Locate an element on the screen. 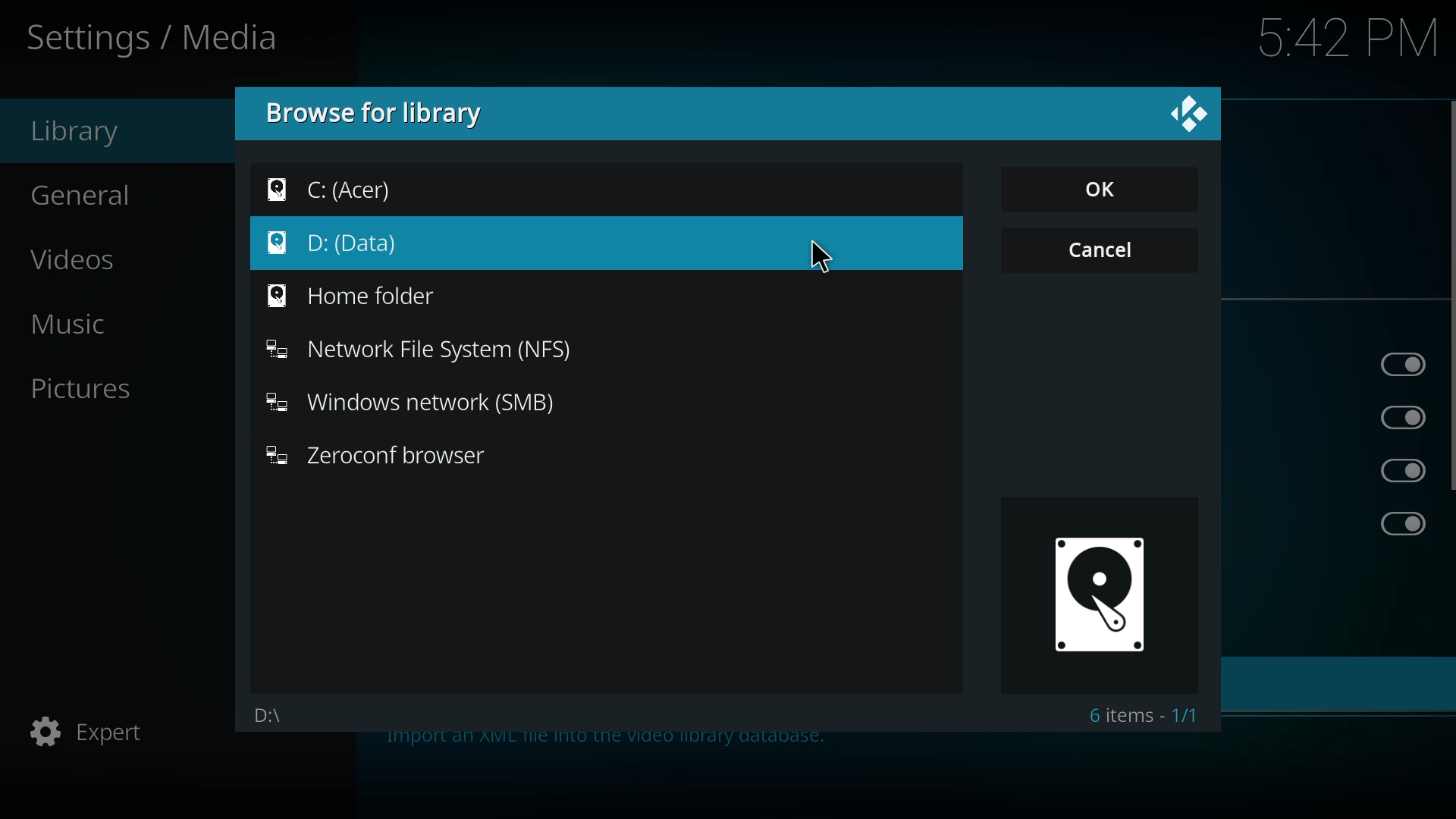 Image resolution: width=1456 pixels, height=819 pixels. cursor is located at coordinates (826, 256).